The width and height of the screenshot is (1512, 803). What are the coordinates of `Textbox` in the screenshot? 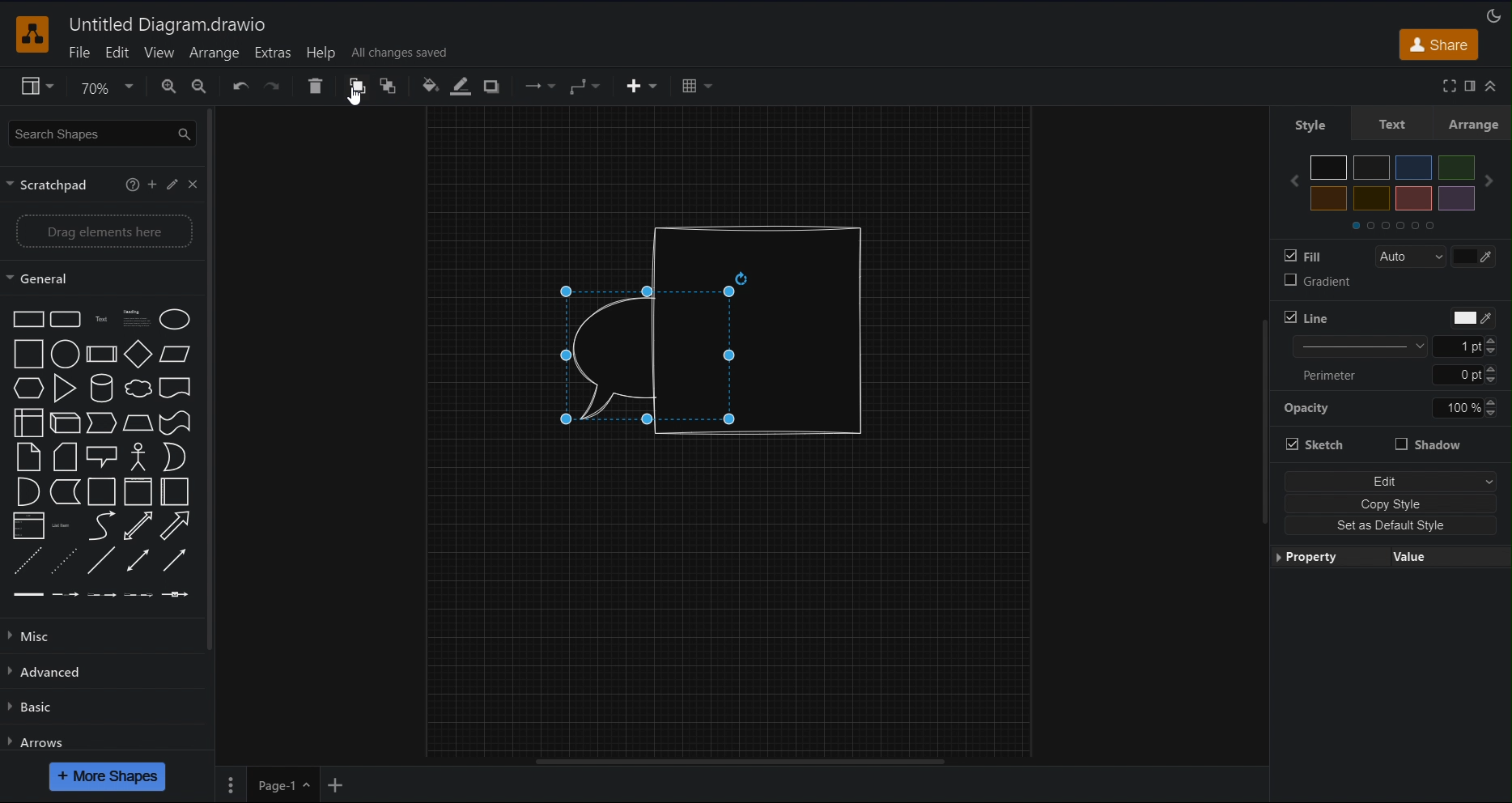 It's located at (137, 319).